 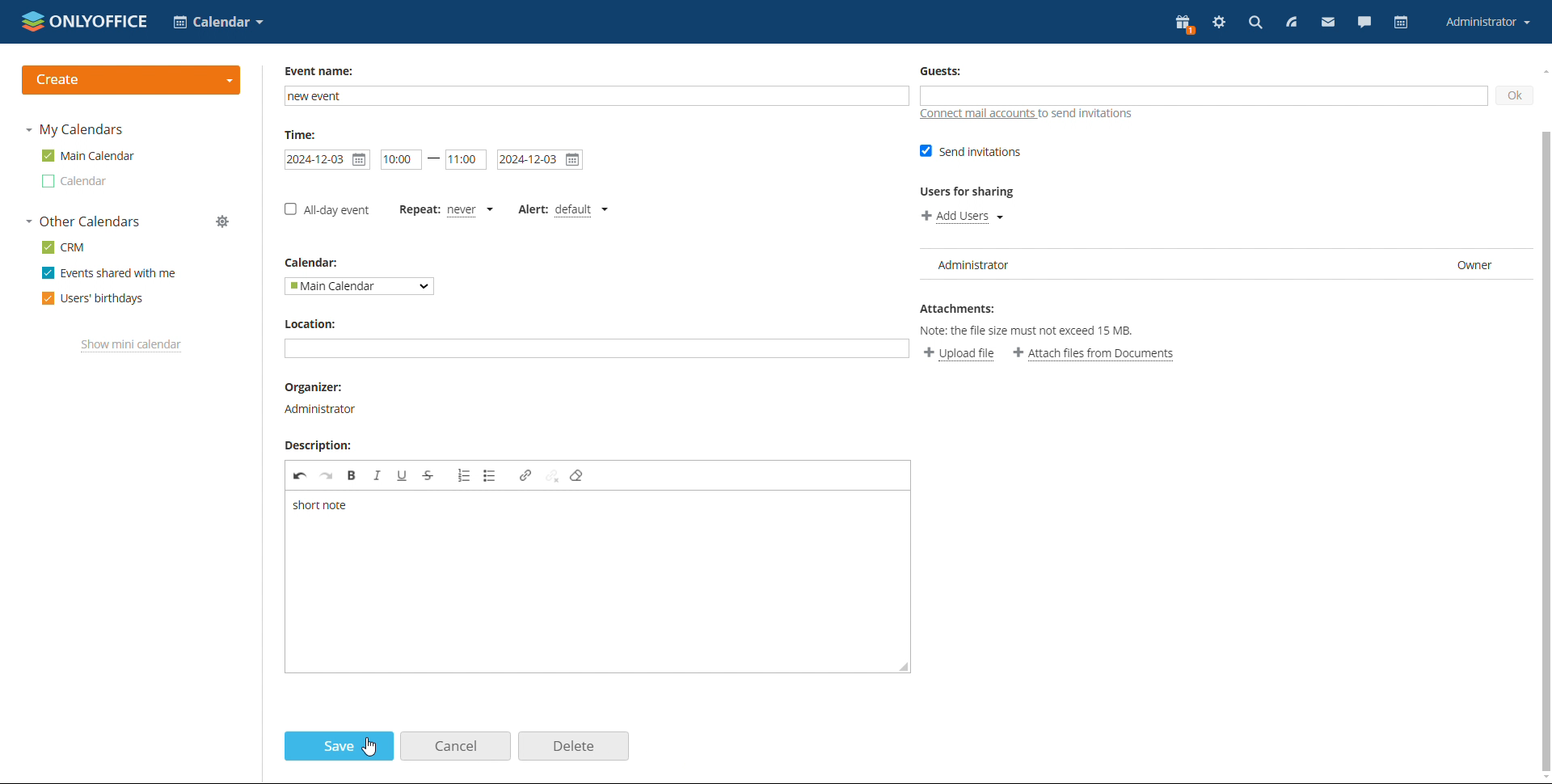 What do you see at coordinates (1099, 352) in the screenshot?
I see `attach files from documents` at bounding box center [1099, 352].